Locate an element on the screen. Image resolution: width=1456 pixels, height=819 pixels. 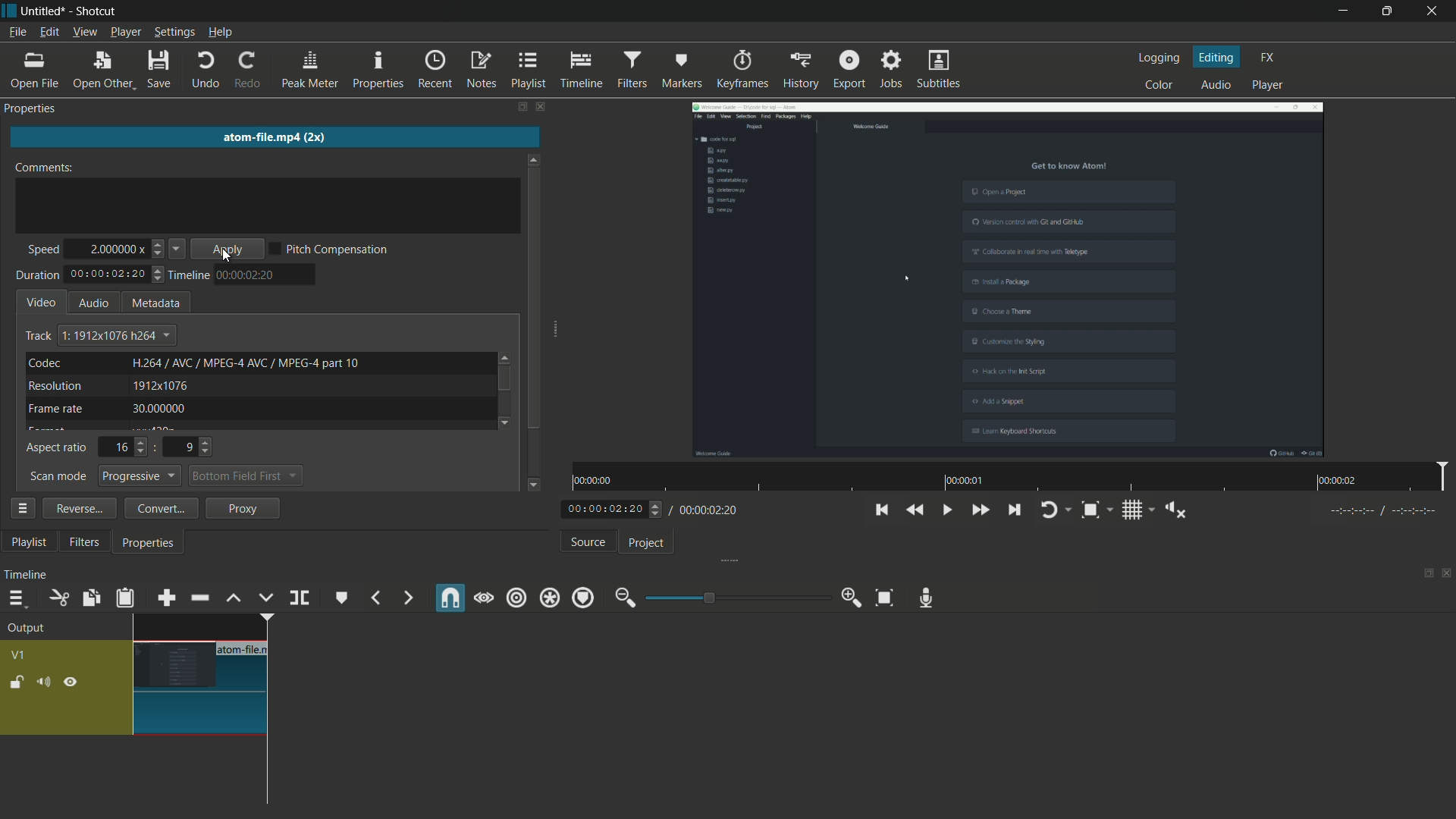
reverse is located at coordinates (79, 508).